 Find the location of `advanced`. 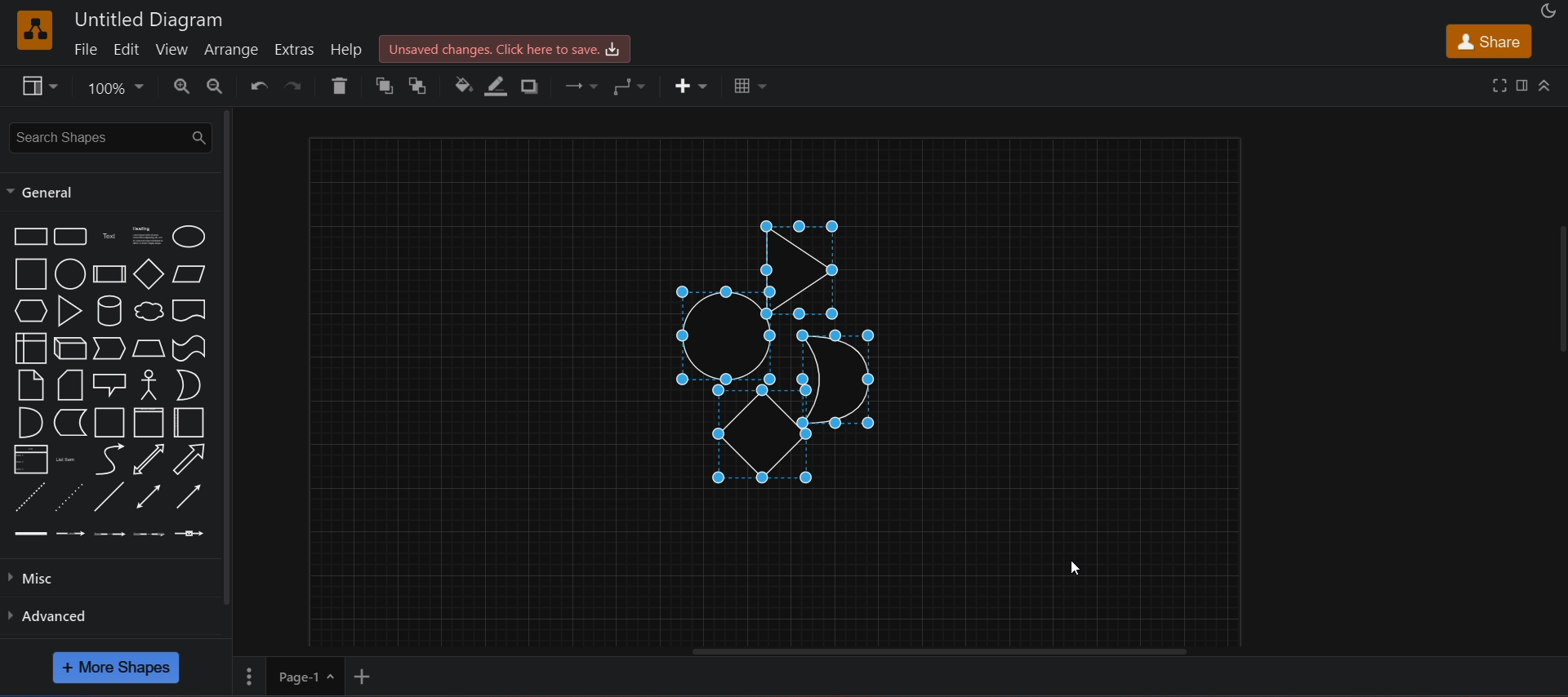

advanced is located at coordinates (62, 615).